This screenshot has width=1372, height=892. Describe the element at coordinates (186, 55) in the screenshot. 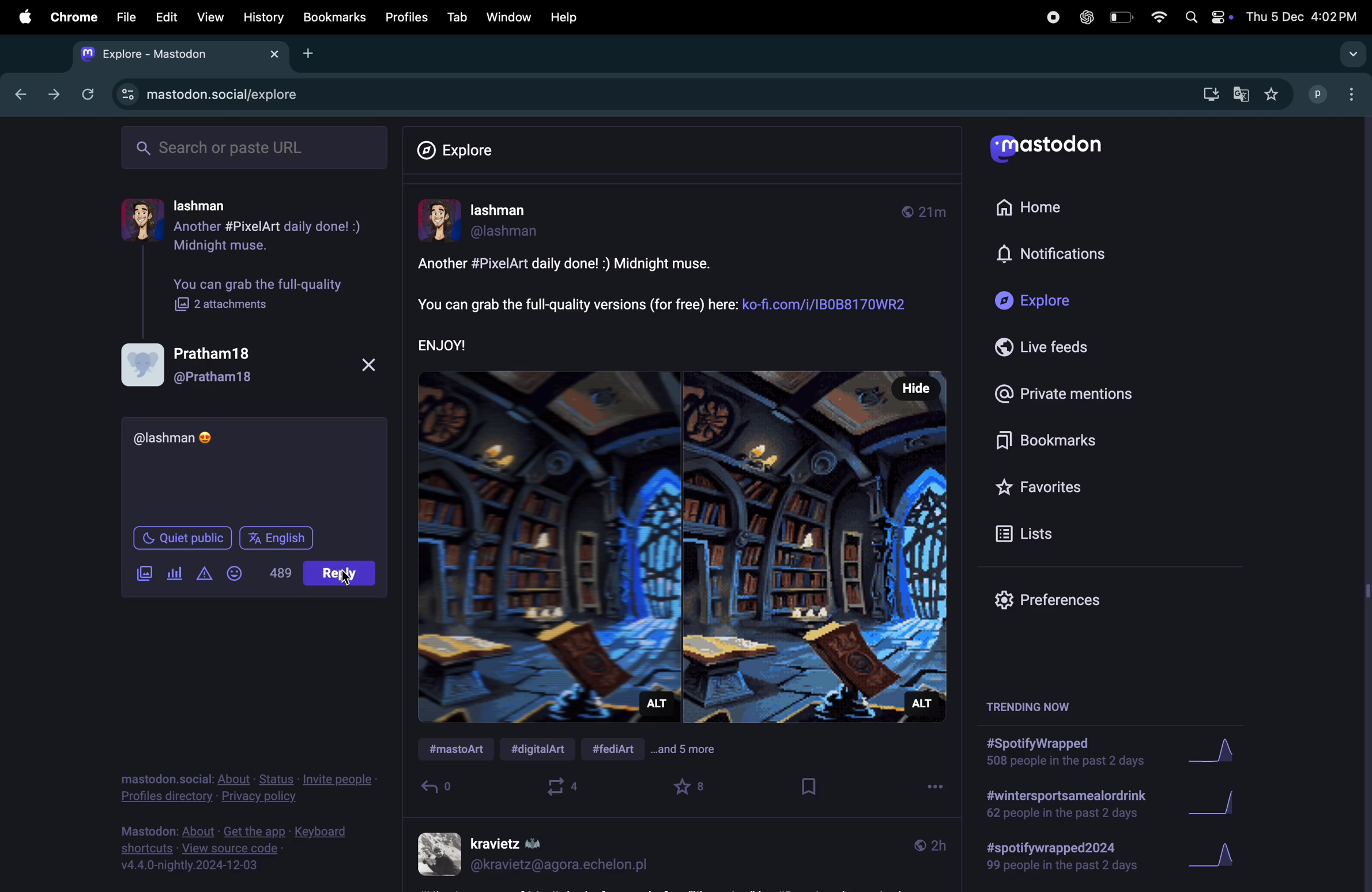

I see `mastdon tab` at that location.